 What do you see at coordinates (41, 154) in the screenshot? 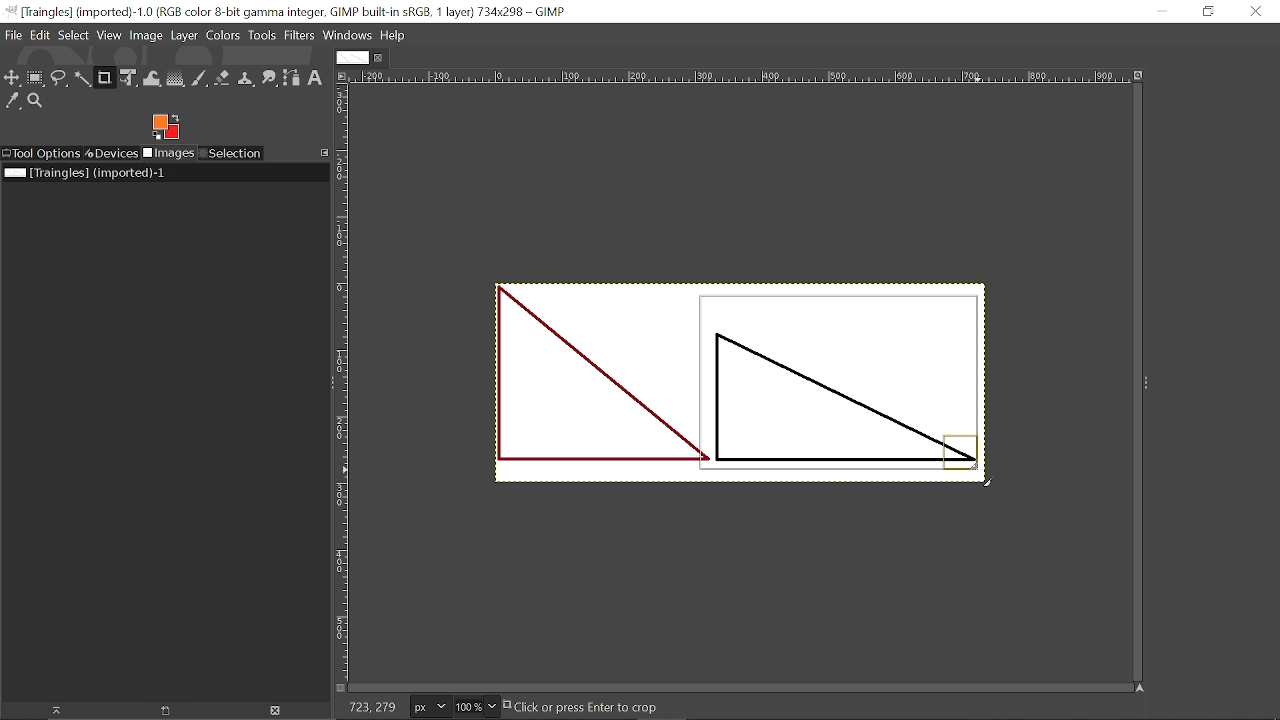
I see `Tool options` at bounding box center [41, 154].